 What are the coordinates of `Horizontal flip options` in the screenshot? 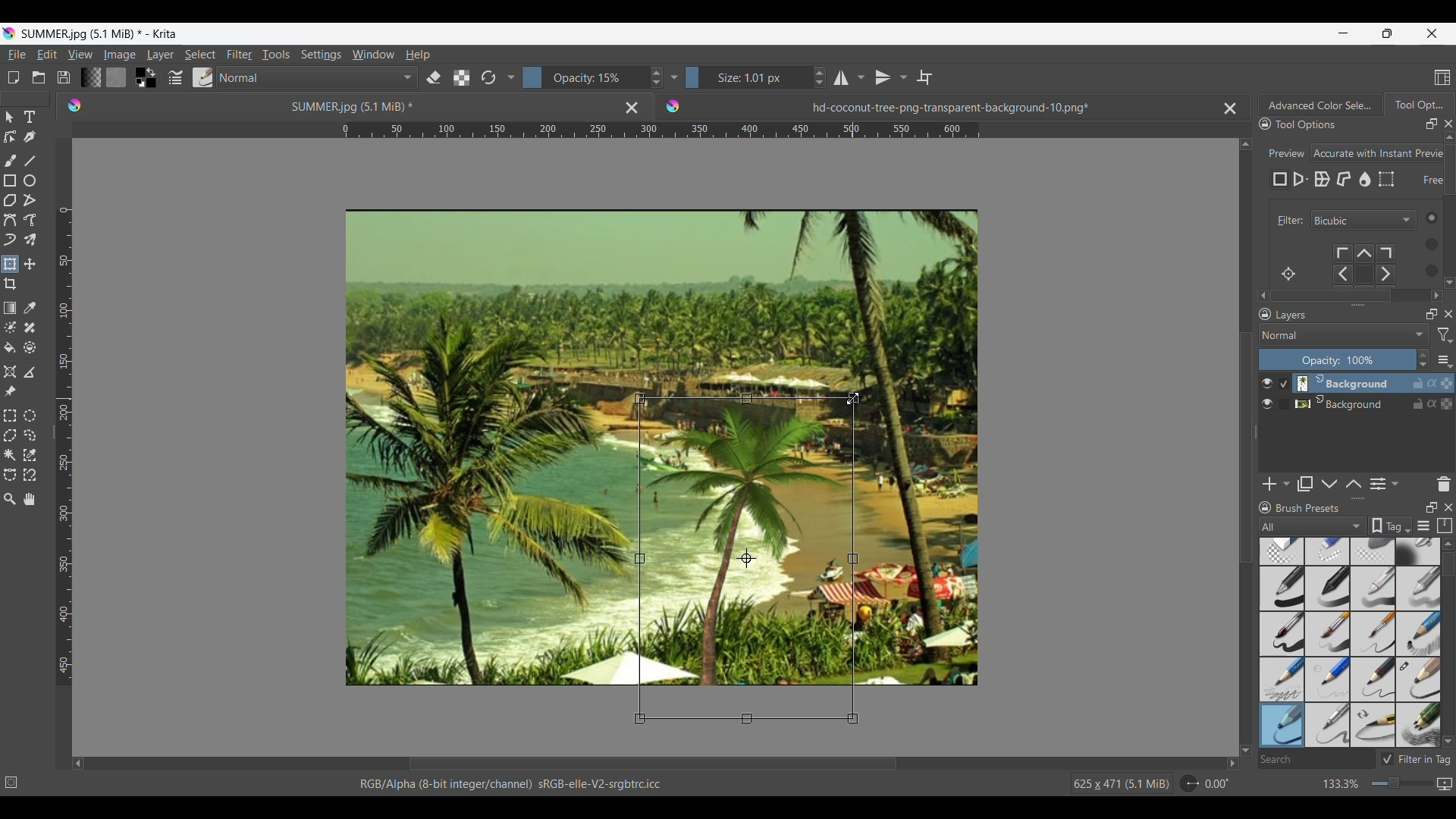 It's located at (861, 77).